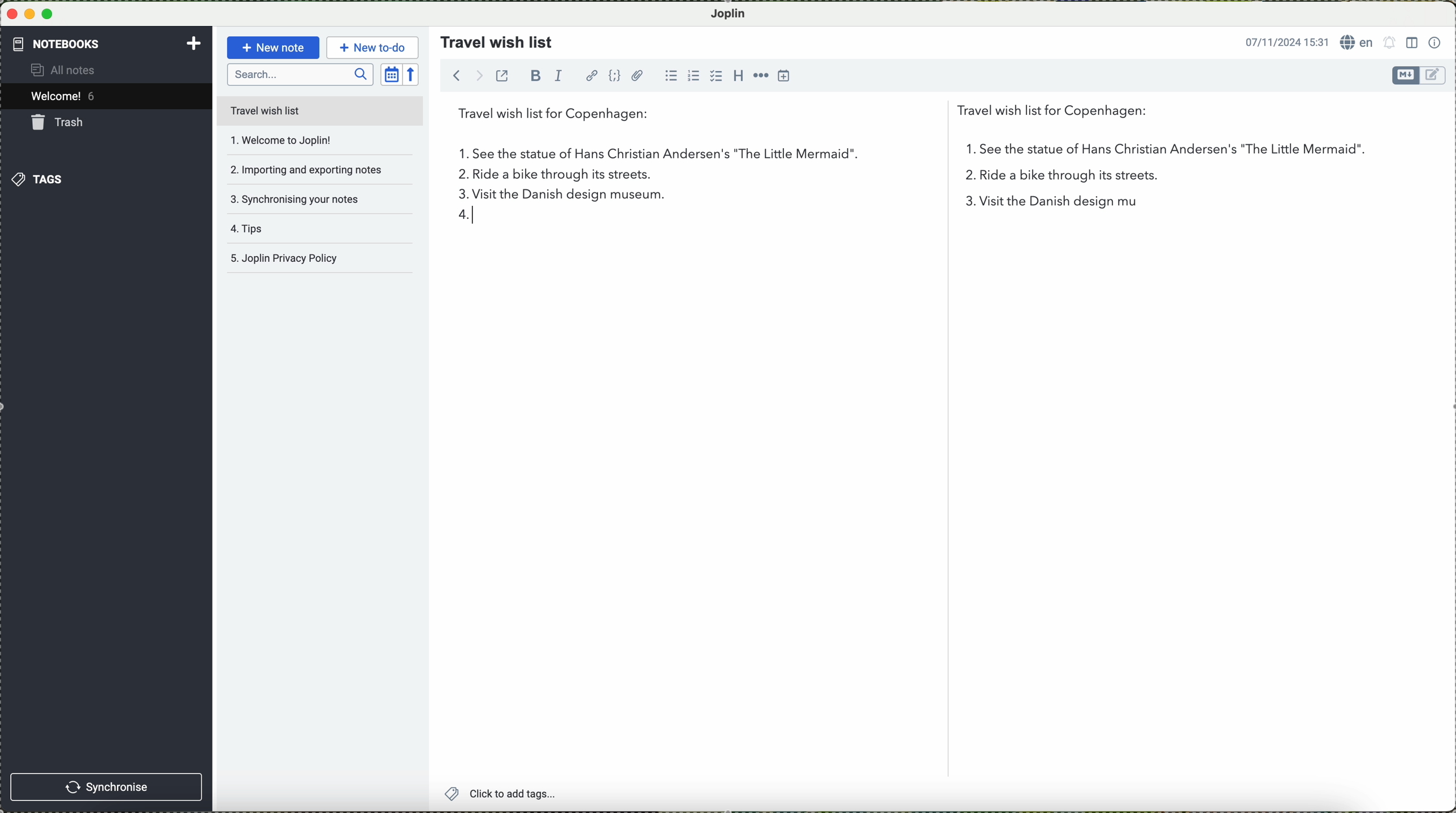 This screenshot has width=1456, height=813. Describe the element at coordinates (66, 98) in the screenshot. I see `welcome 5` at that location.